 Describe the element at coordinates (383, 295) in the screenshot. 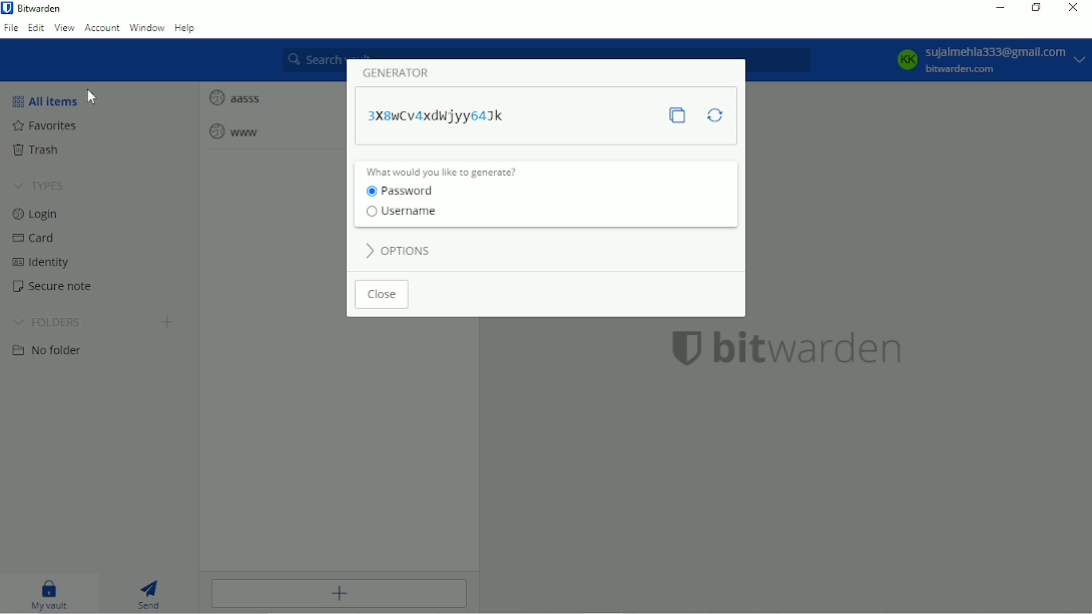

I see `Close` at that location.